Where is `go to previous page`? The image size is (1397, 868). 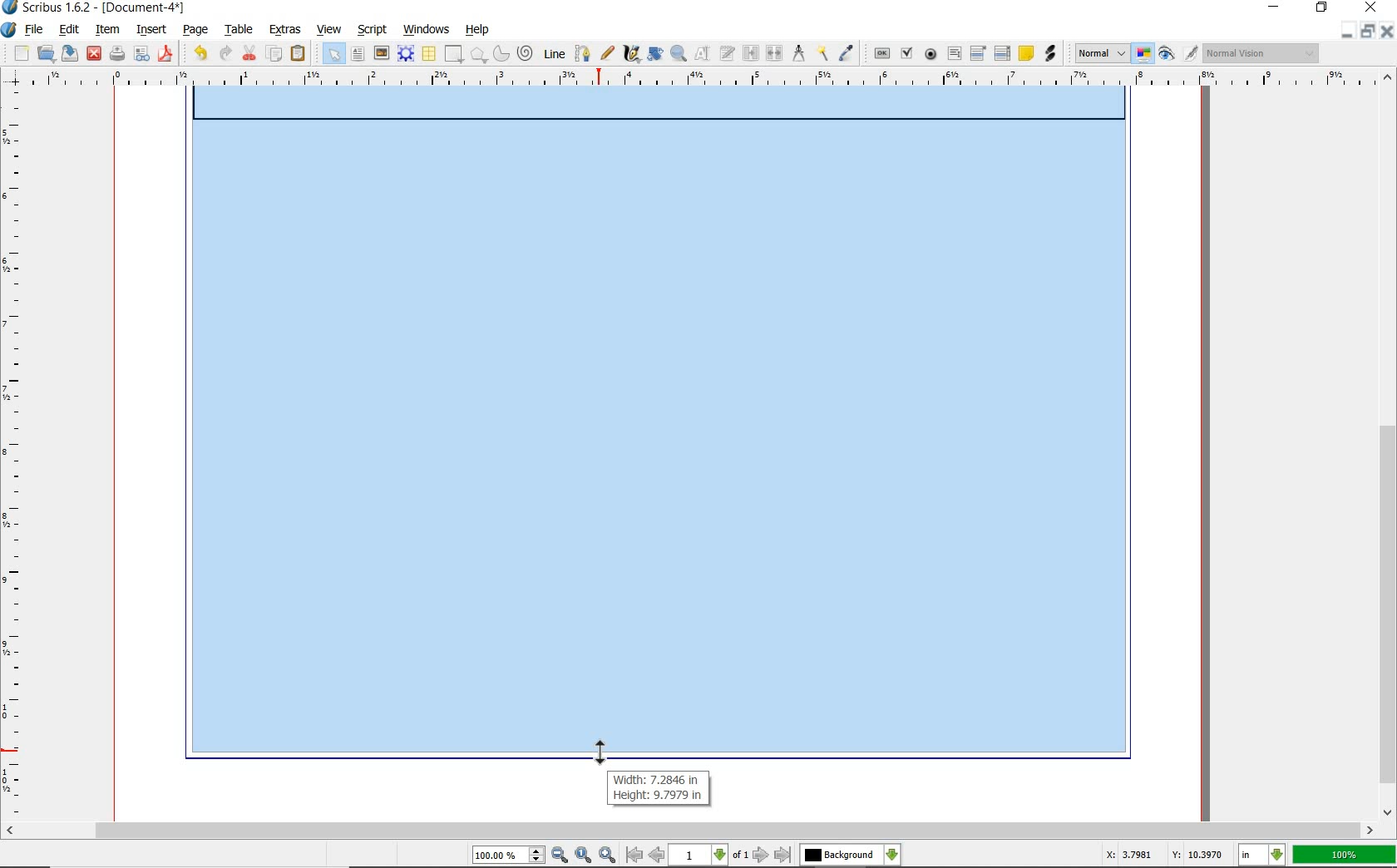
go to previous page is located at coordinates (658, 856).